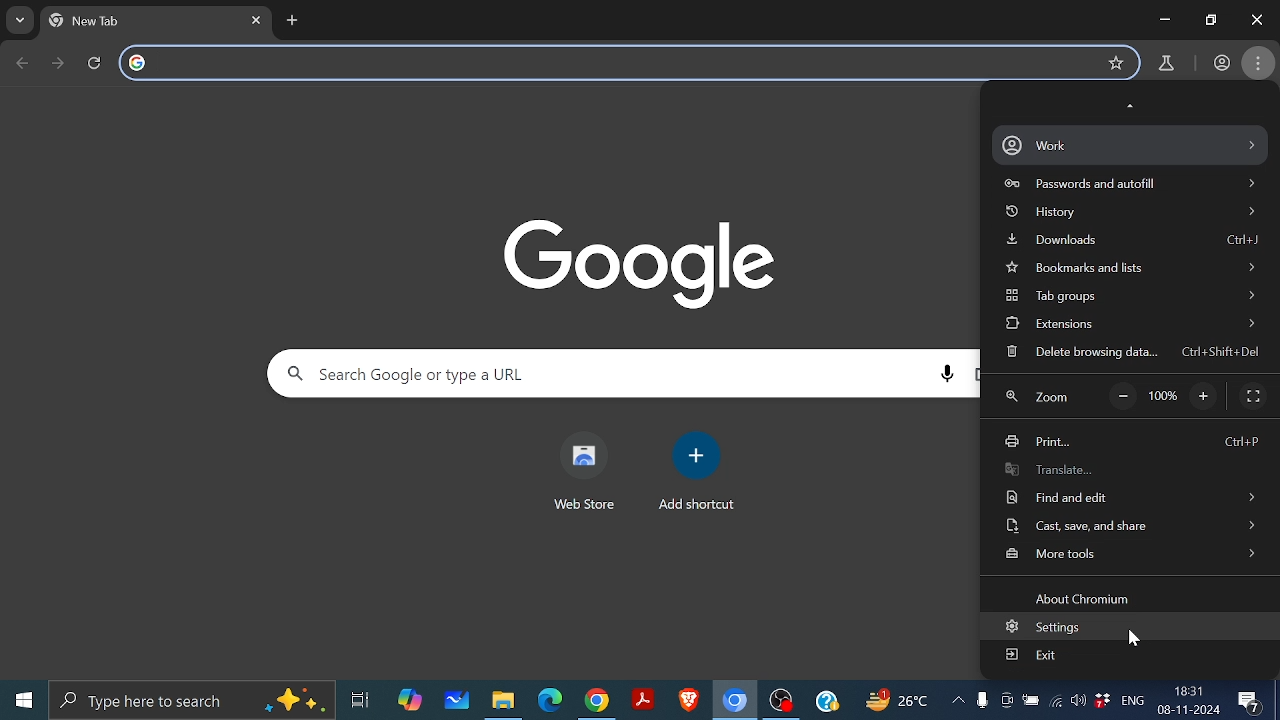 The height and width of the screenshot is (720, 1280). Describe the element at coordinates (1259, 63) in the screenshot. I see `Control and customize chromium` at that location.